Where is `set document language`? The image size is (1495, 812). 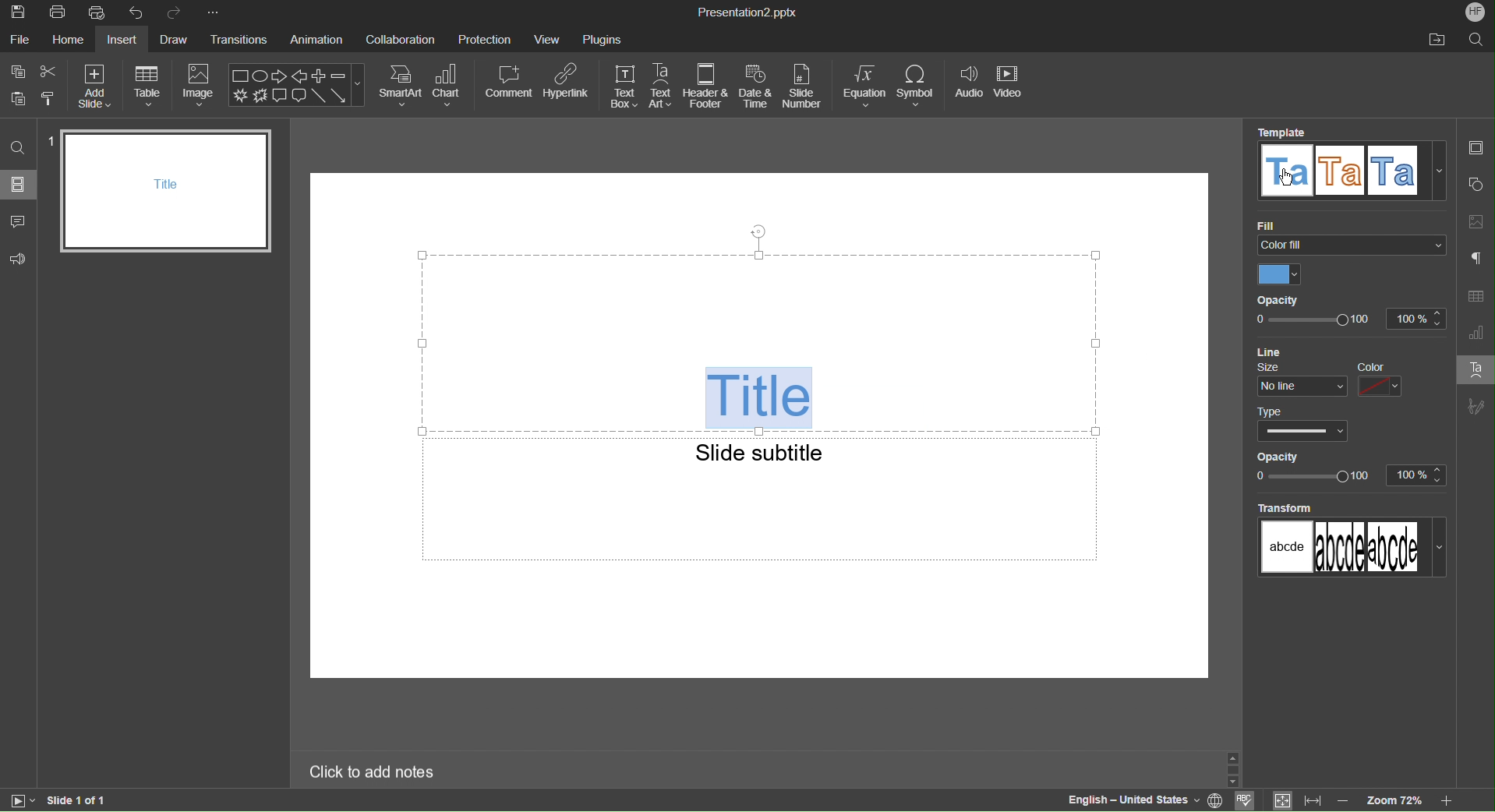 set document language is located at coordinates (1217, 799).